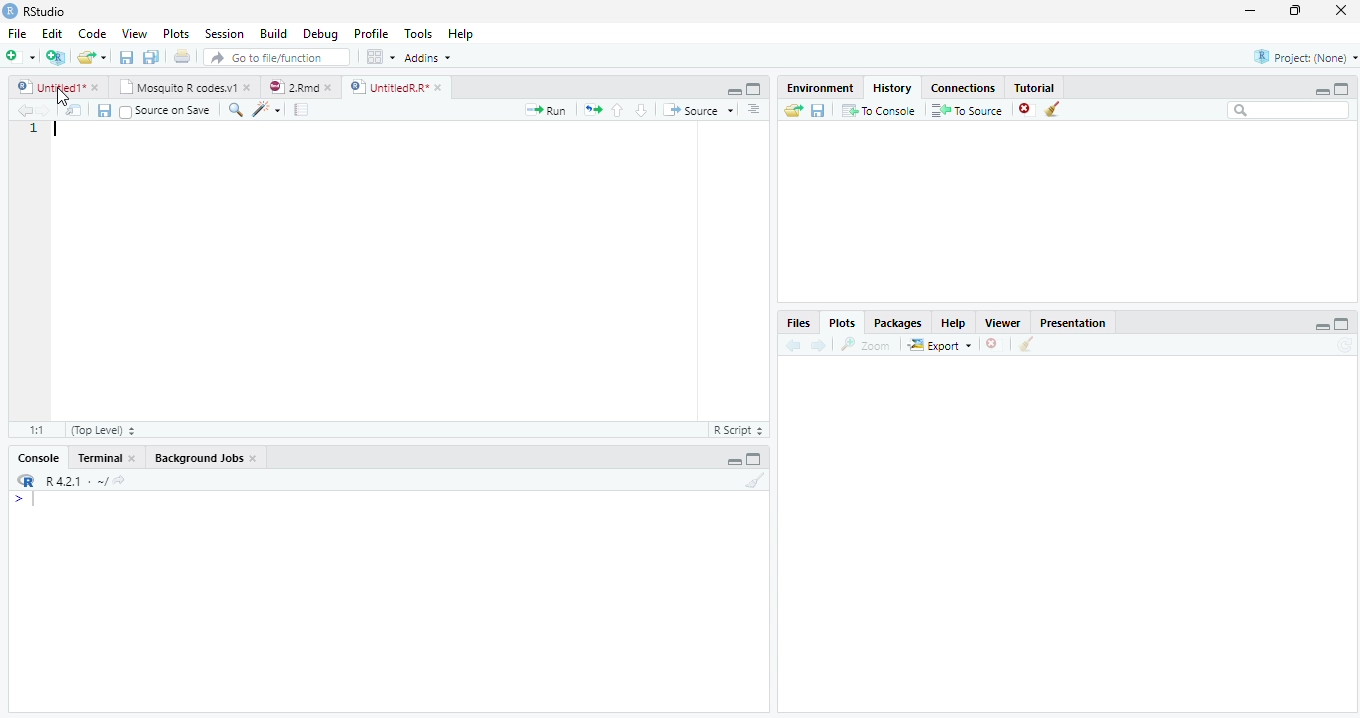 This screenshot has width=1360, height=718. Describe the element at coordinates (1340, 11) in the screenshot. I see `Close` at that location.